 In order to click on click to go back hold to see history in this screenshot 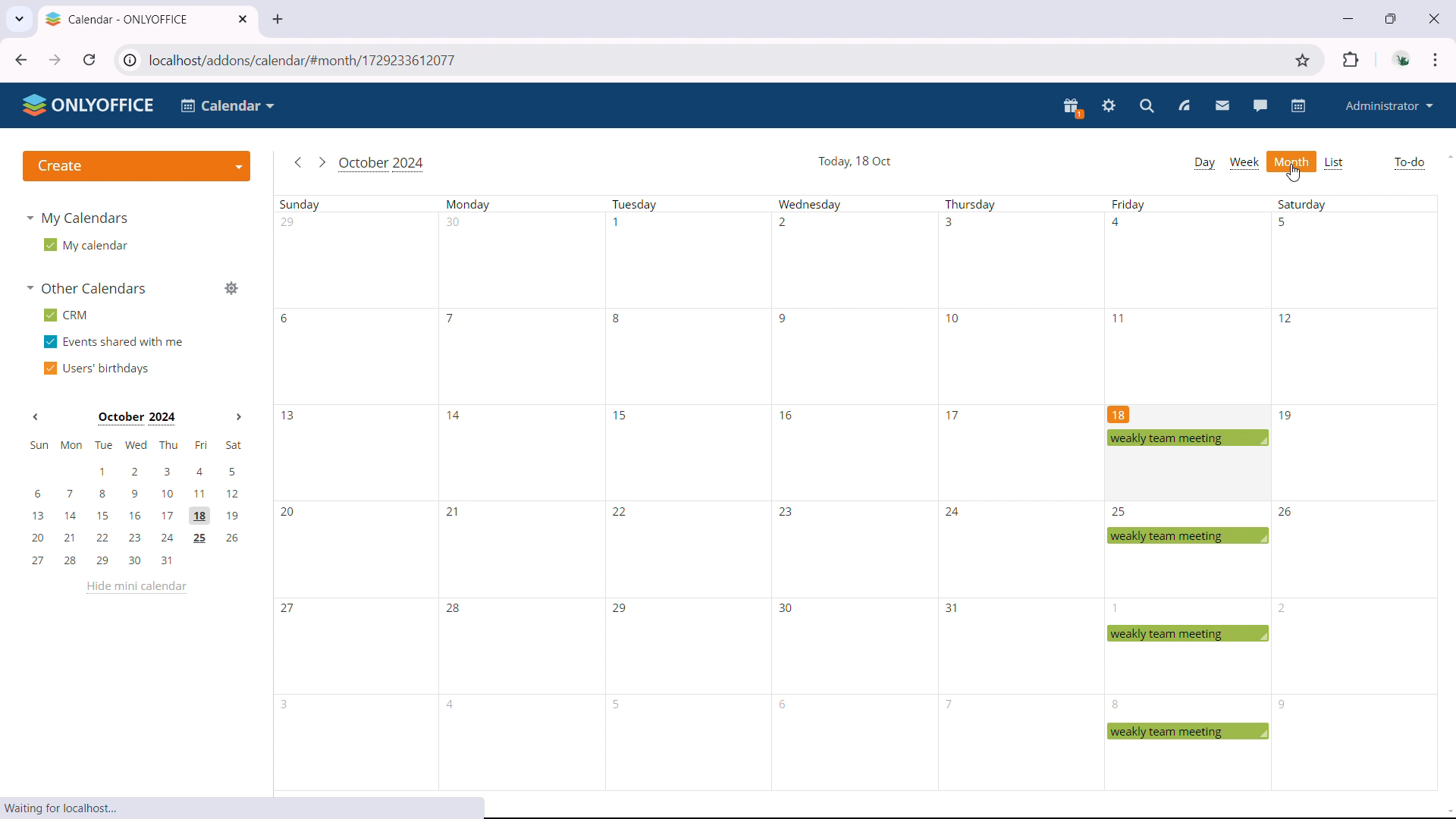, I will do `click(22, 60)`.